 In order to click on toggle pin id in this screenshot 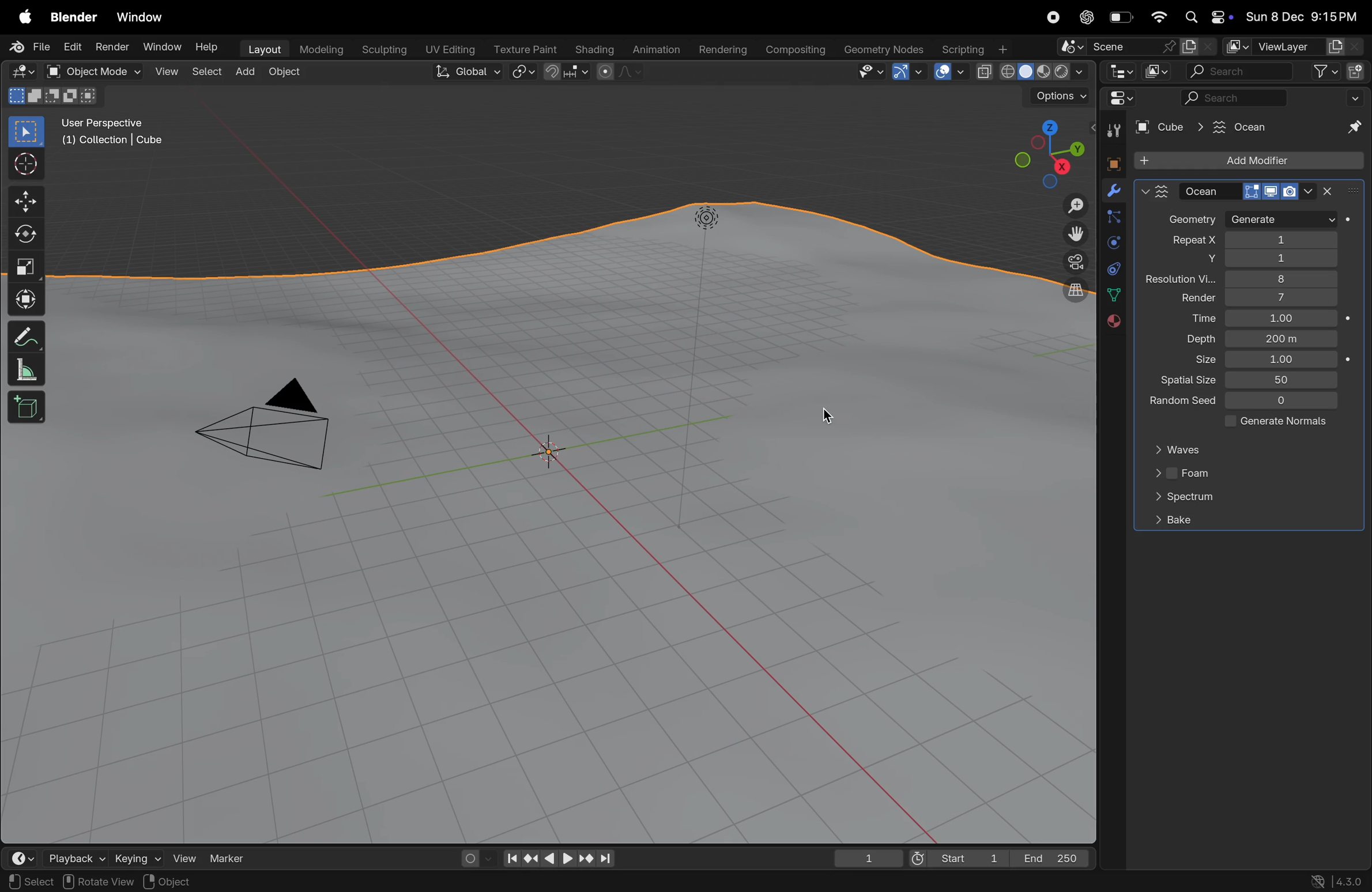, I will do `click(1352, 128)`.